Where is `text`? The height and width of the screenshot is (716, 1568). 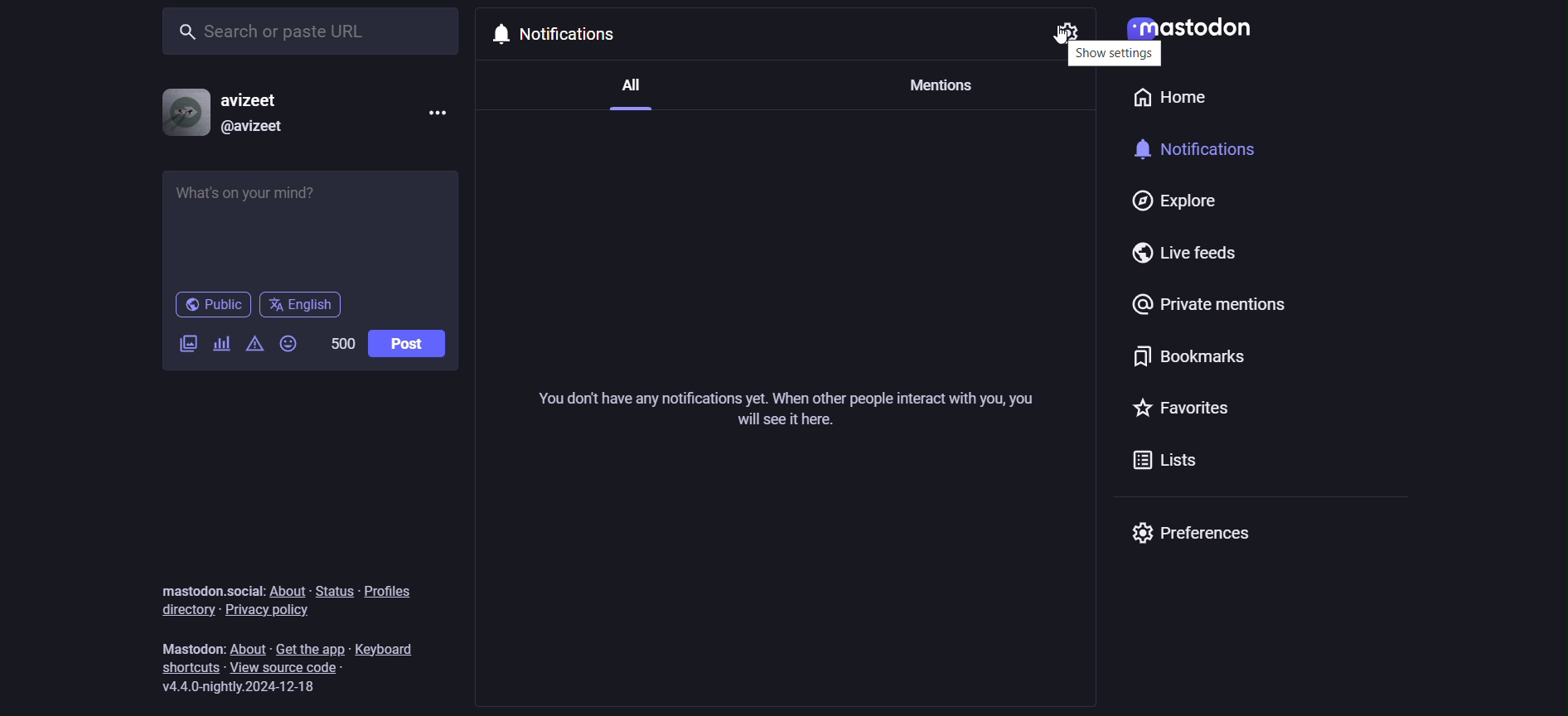 text is located at coordinates (209, 590).